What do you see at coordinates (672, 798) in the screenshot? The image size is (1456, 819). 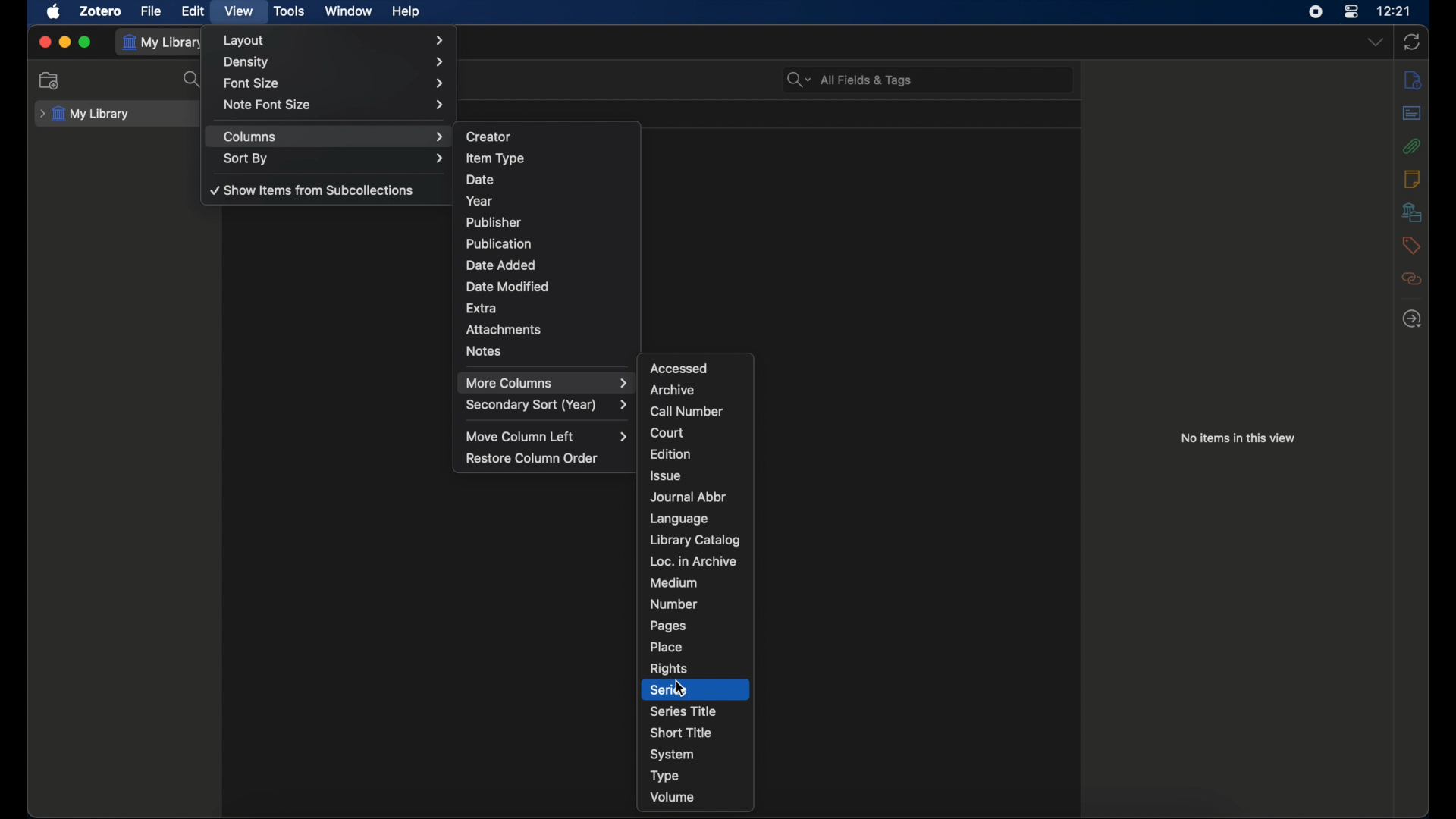 I see `volume` at bounding box center [672, 798].